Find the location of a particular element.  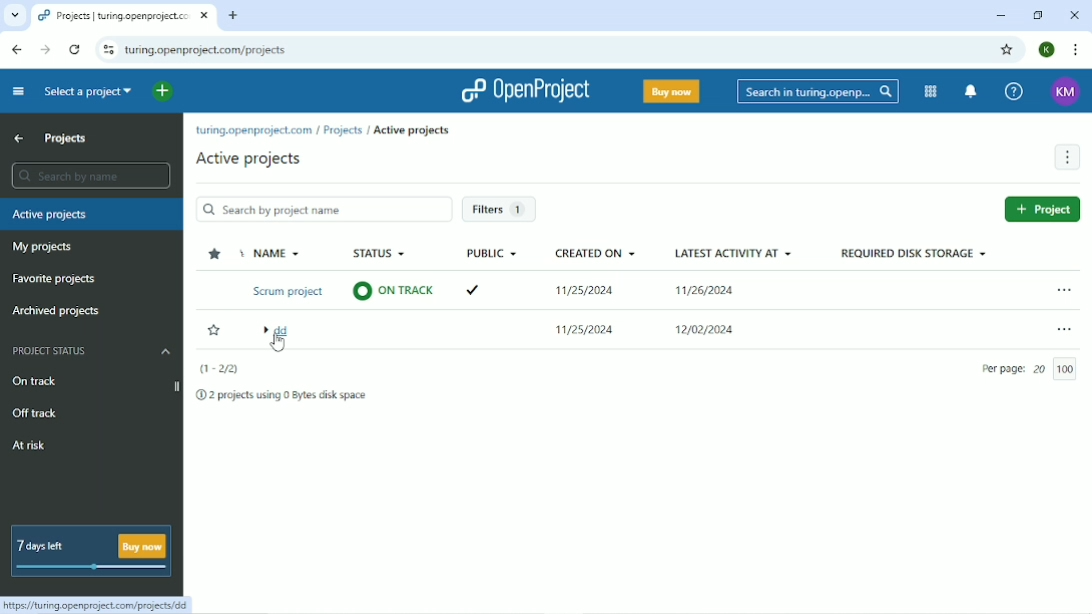

On track is located at coordinates (38, 381).